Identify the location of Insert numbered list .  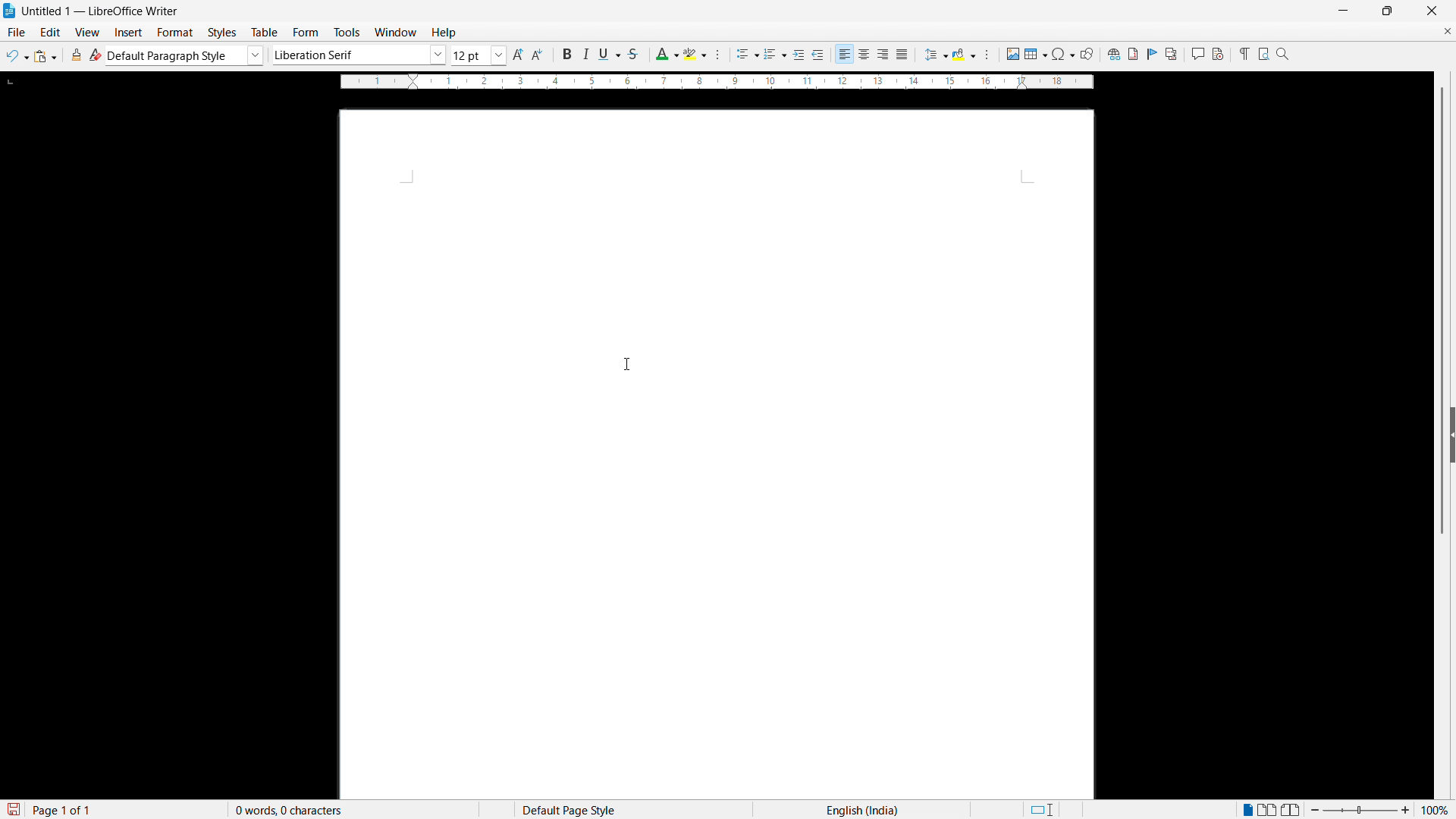
(775, 55).